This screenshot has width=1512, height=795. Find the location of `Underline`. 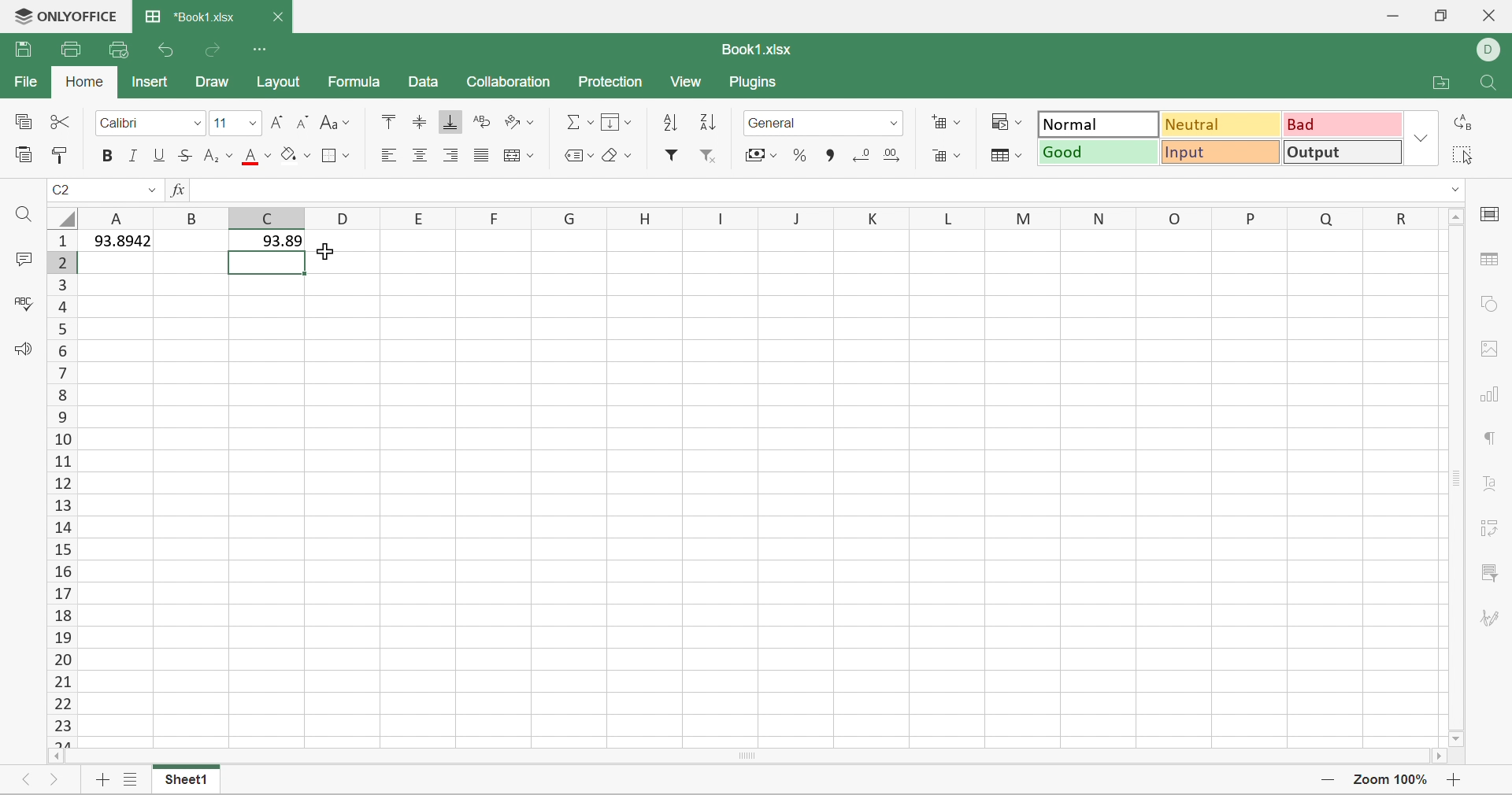

Underline is located at coordinates (160, 155).